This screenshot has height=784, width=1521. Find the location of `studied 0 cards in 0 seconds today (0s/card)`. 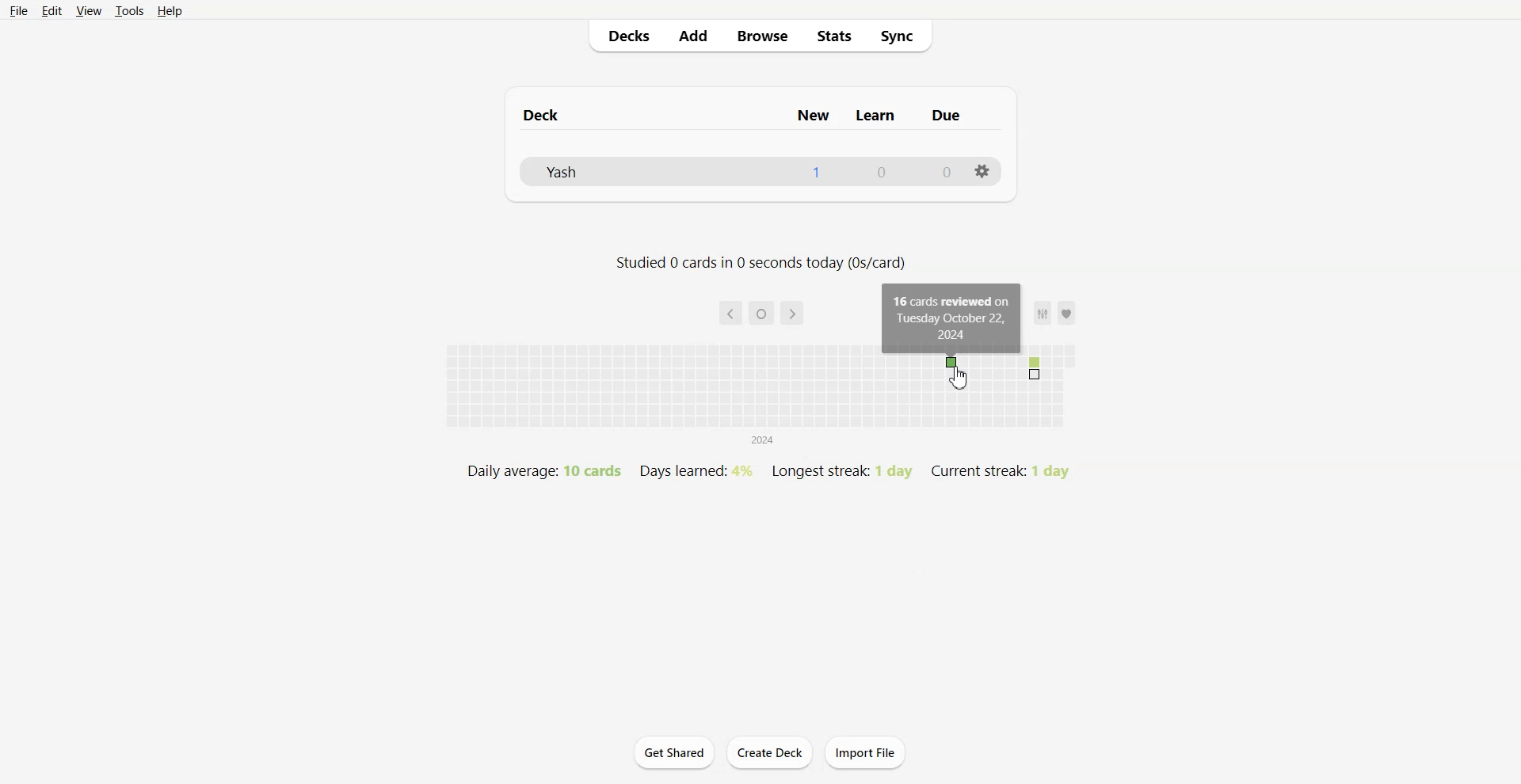

studied 0 cards in 0 seconds today (0s/card) is located at coordinates (761, 263).